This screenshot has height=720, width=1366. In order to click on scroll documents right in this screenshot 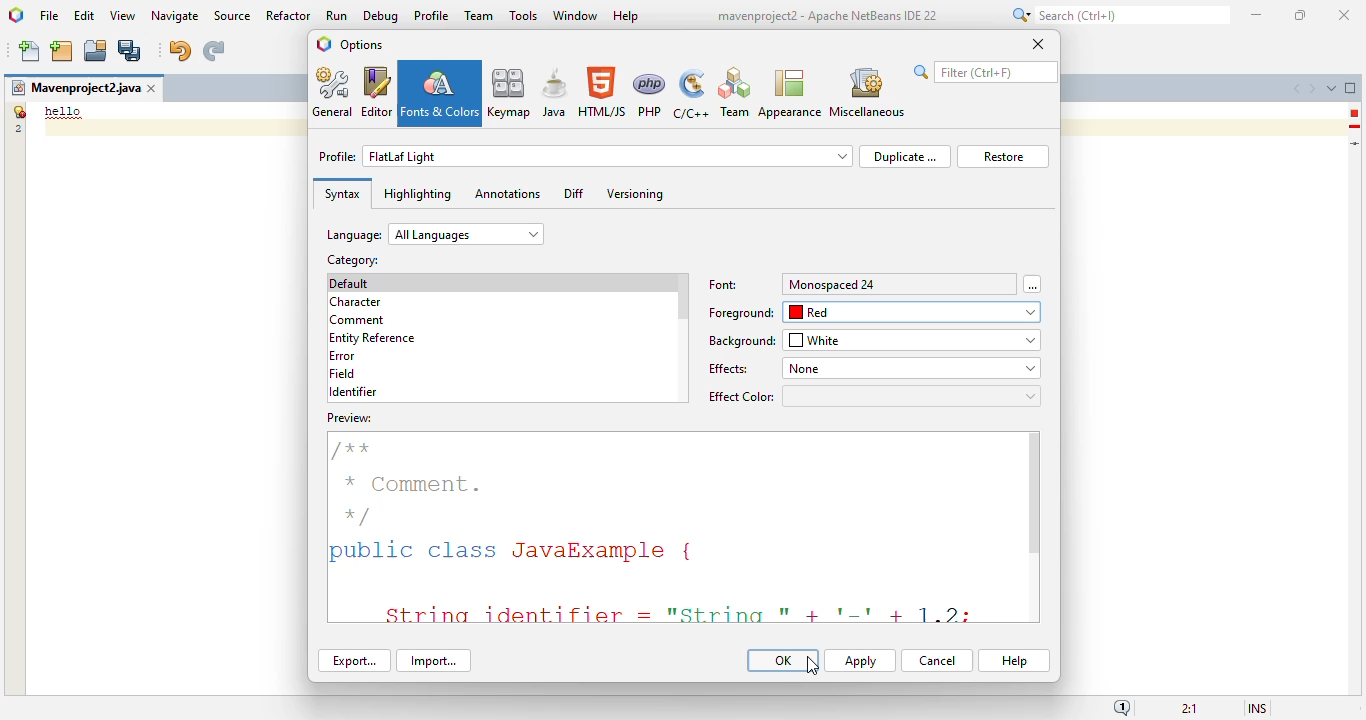, I will do `click(1311, 89)`.